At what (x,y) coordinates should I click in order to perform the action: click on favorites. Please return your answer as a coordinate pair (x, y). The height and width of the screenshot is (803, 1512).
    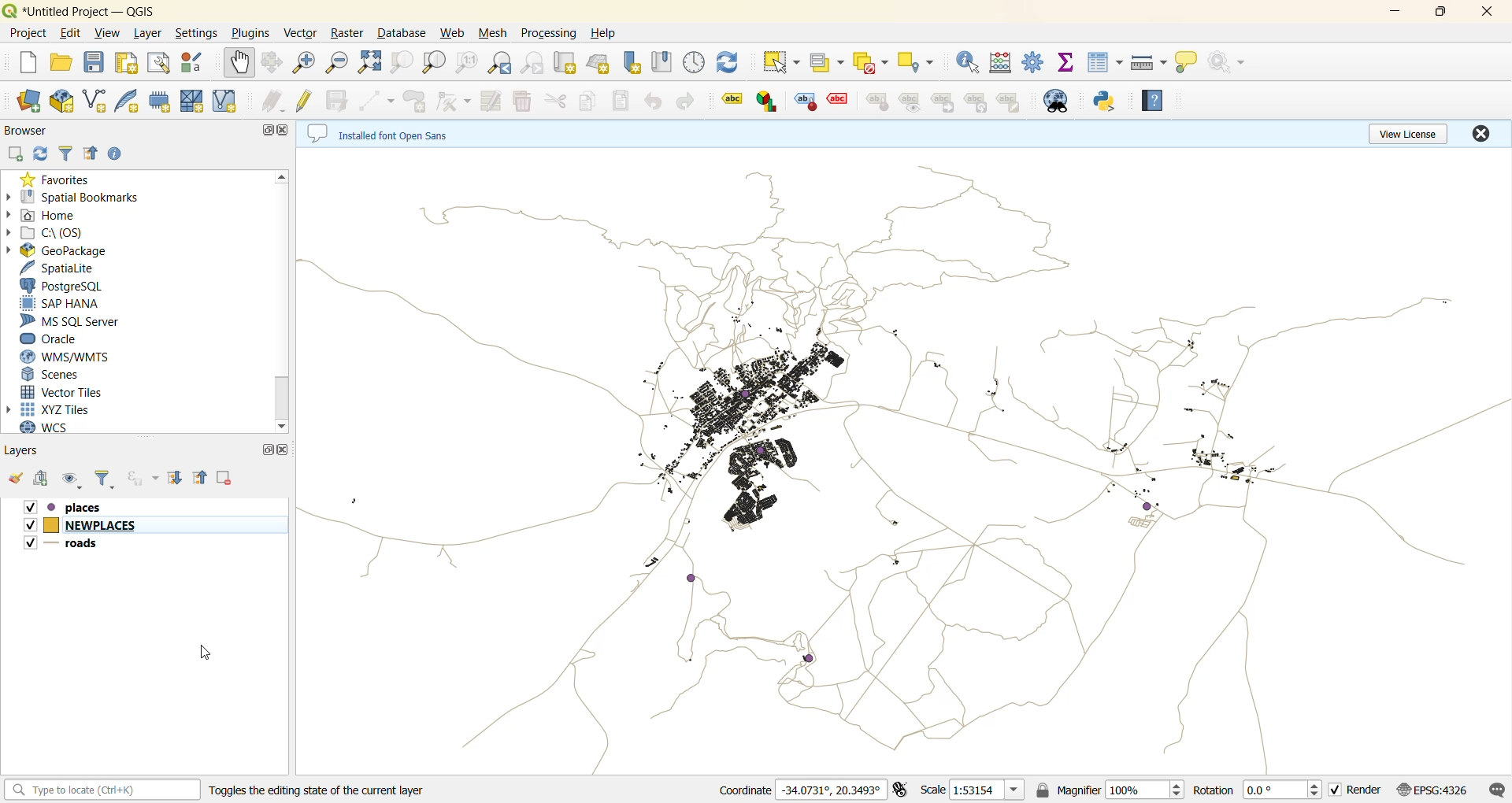
    Looking at the image, I should click on (57, 179).